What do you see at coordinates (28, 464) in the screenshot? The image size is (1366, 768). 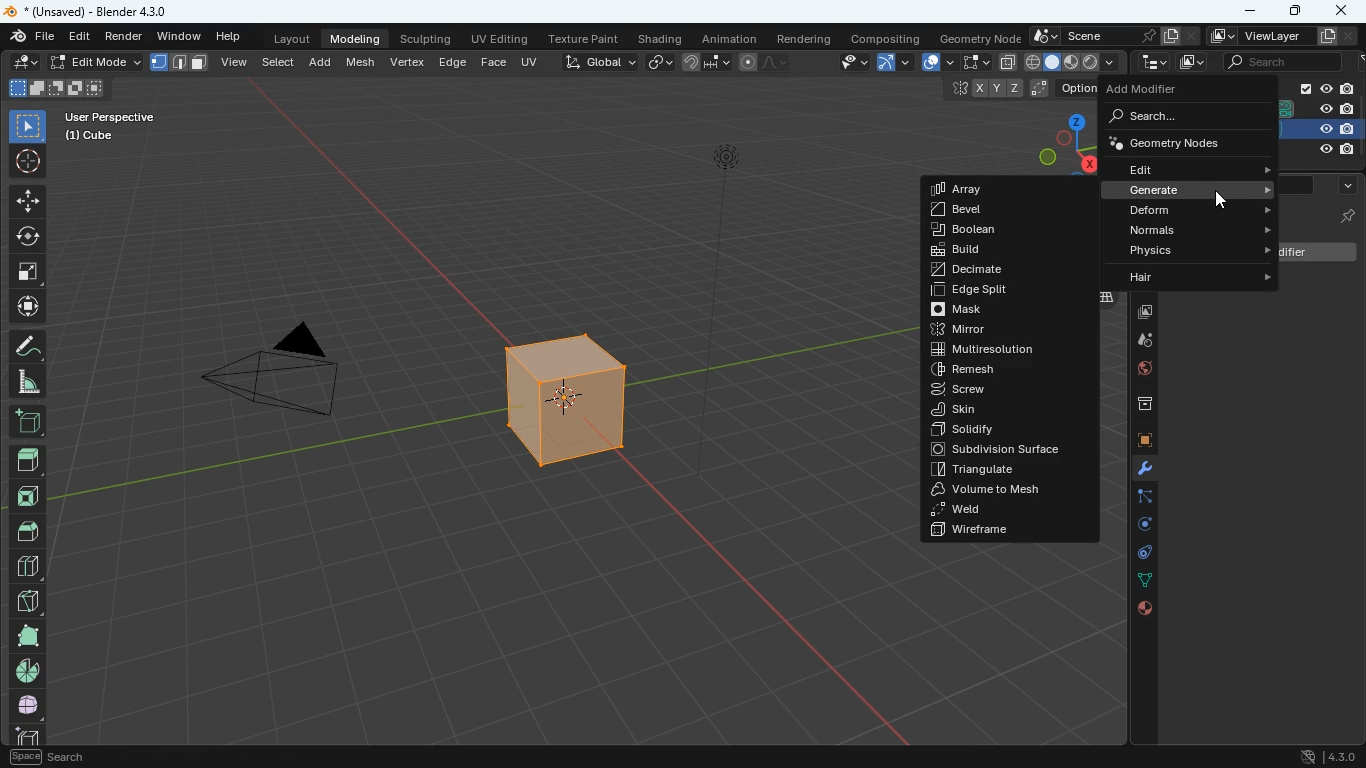 I see `top` at bounding box center [28, 464].